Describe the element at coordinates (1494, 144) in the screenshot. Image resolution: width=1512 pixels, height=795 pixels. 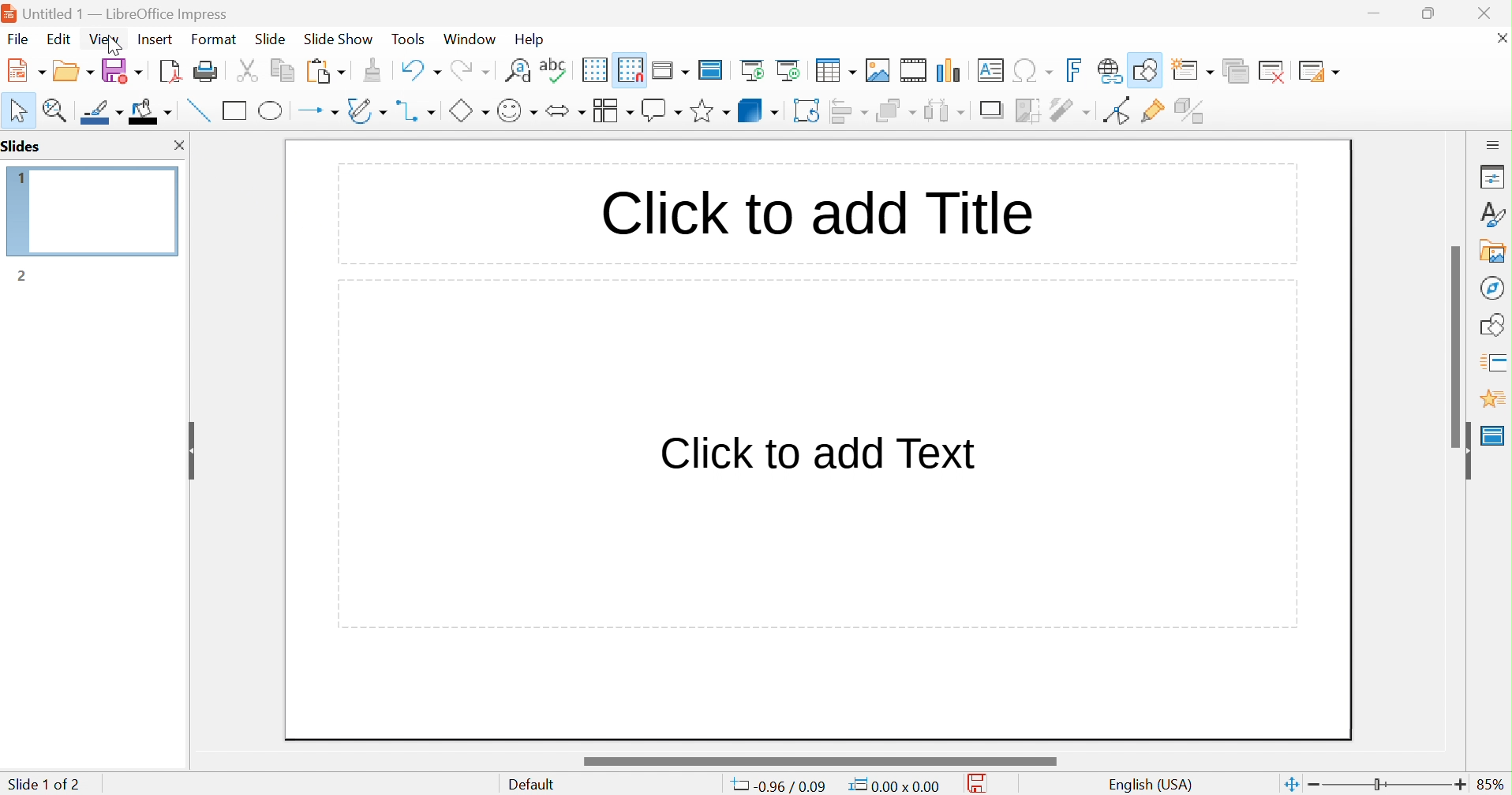
I see `sidebar settings` at that location.